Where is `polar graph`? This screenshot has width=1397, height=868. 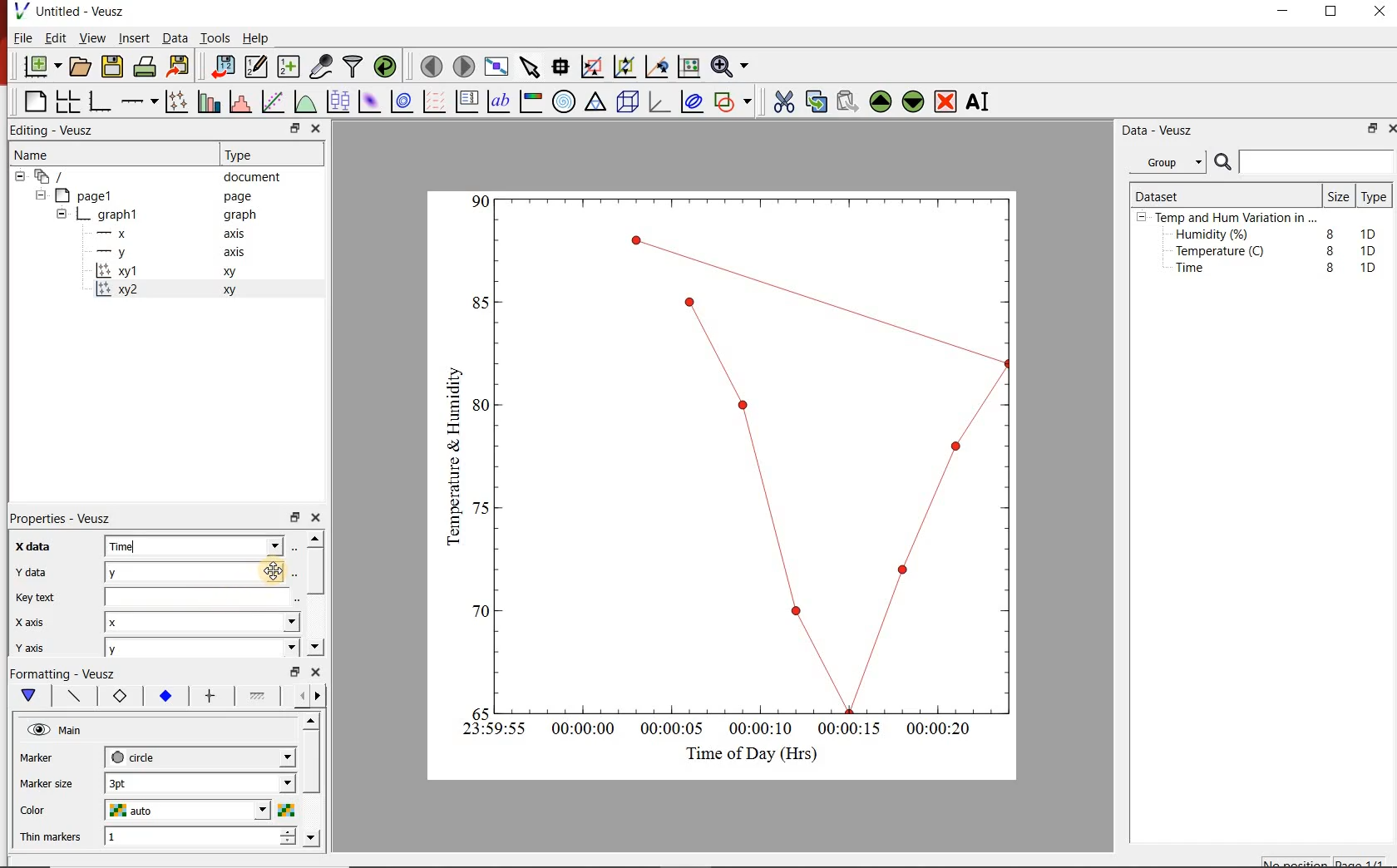
polar graph is located at coordinates (565, 103).